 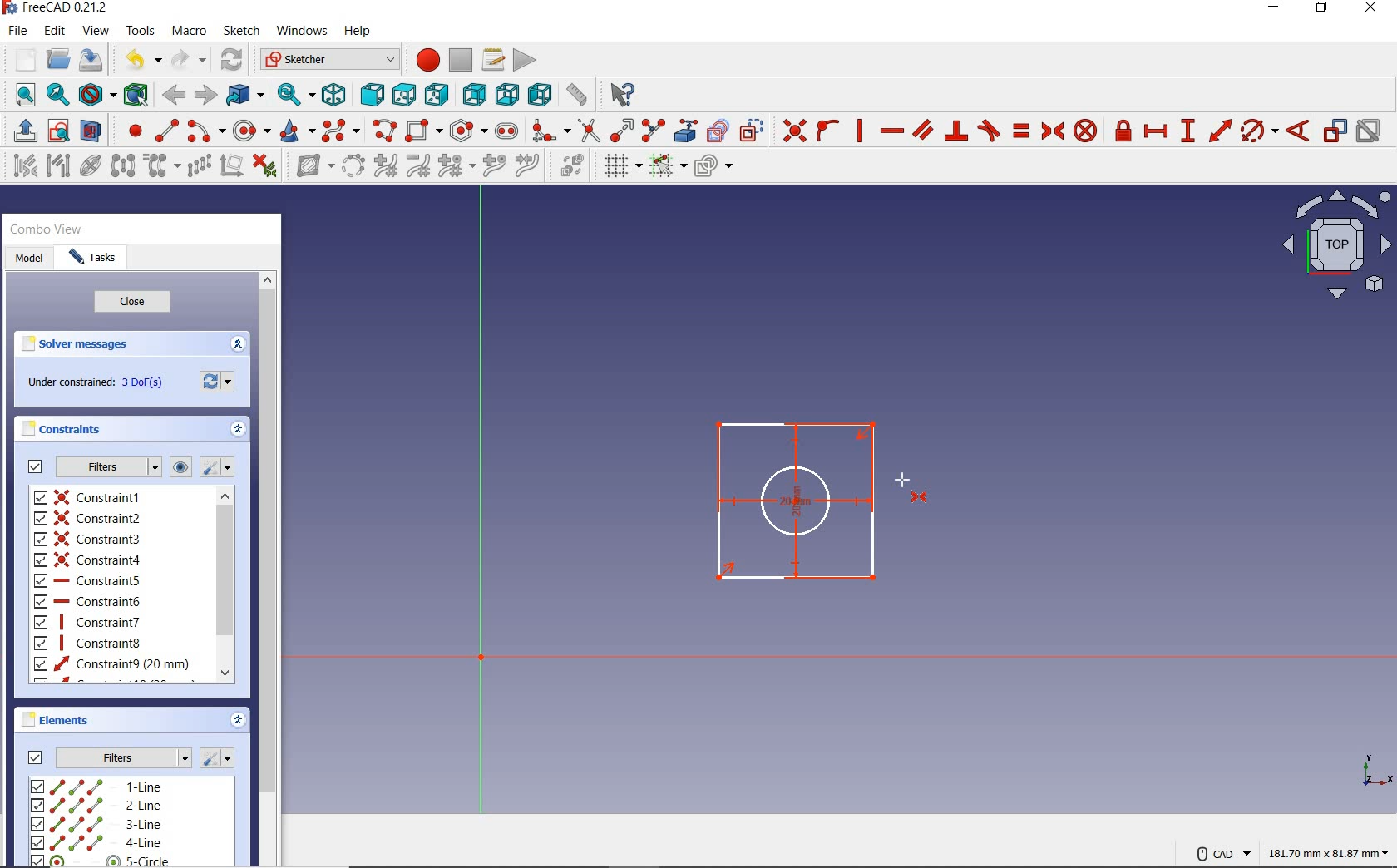 I want to click on configure rendering order, so click(x=713, y=169).